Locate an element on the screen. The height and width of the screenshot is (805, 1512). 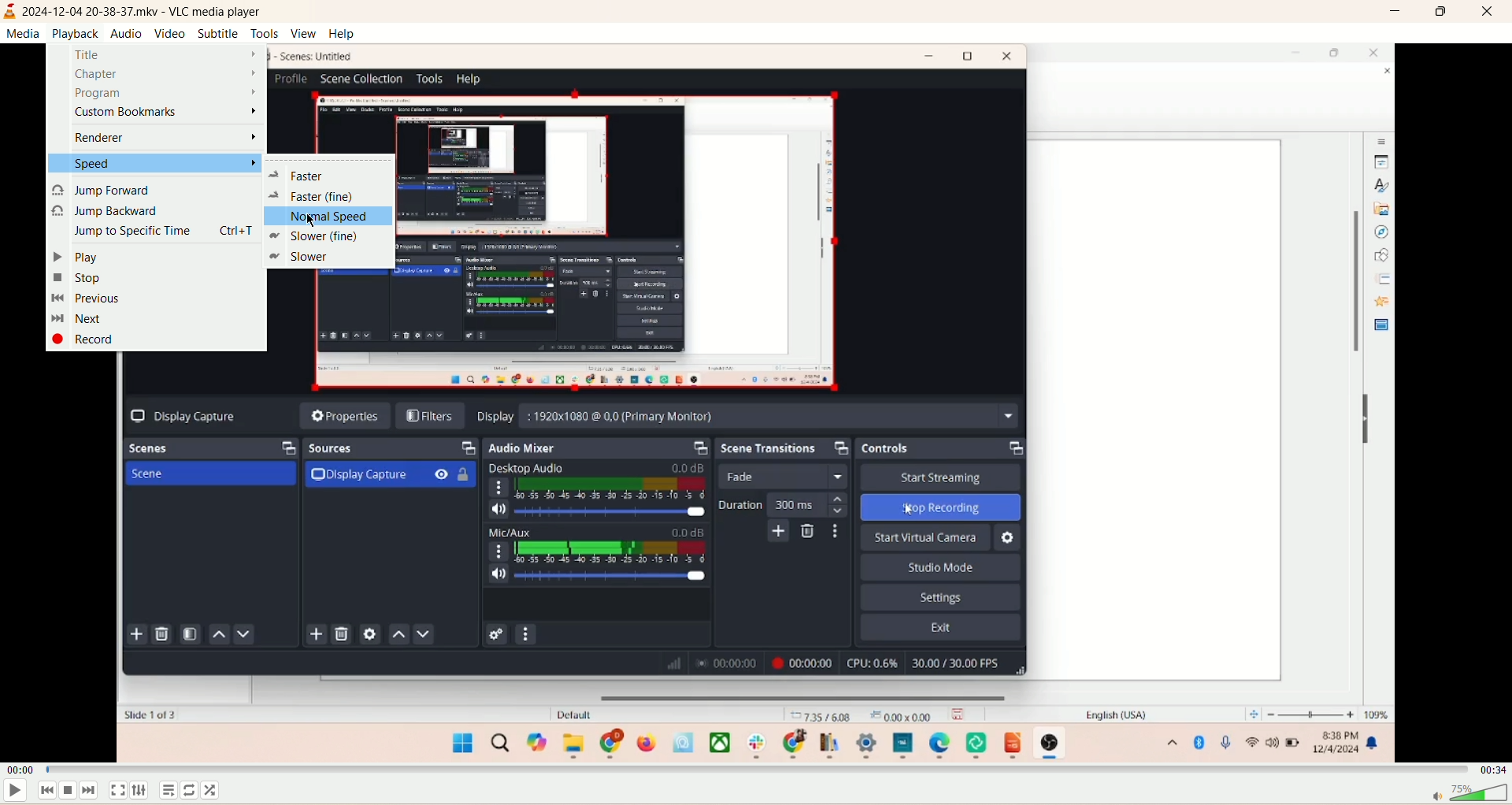
next is located at coordinates (91, 791).